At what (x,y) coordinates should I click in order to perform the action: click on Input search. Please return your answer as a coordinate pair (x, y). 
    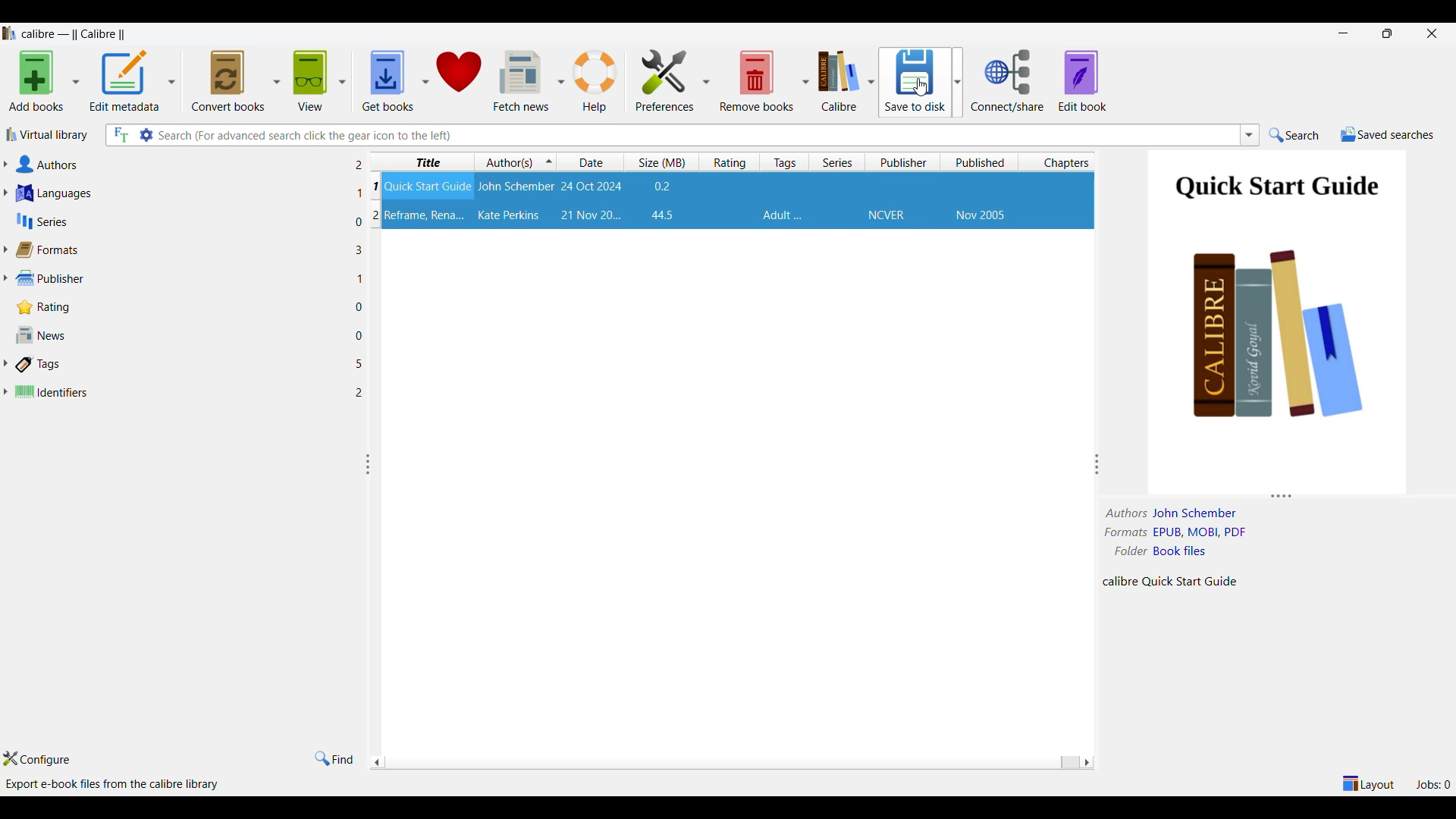
    Looking at the image, I should click on (696, 135).